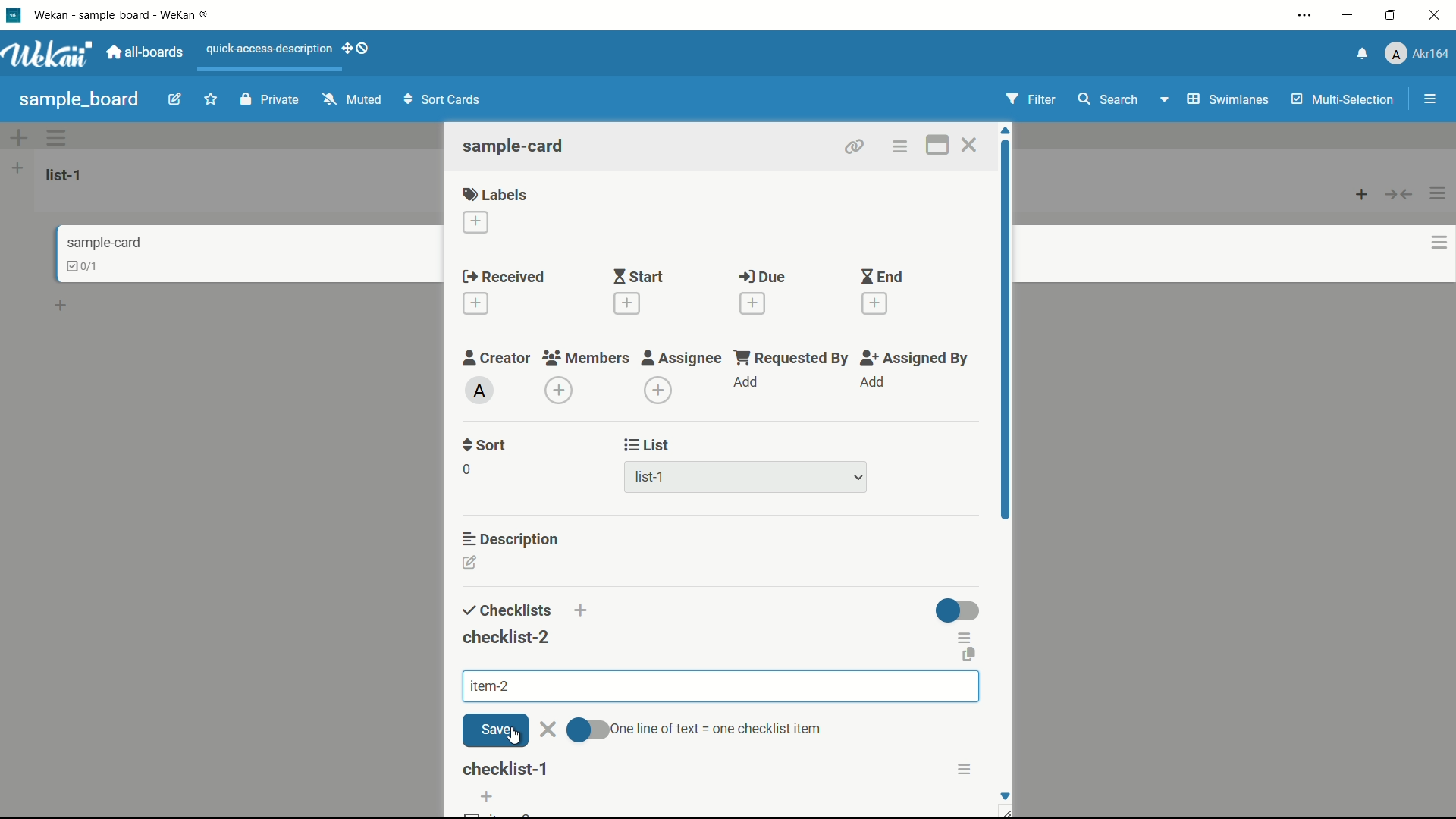 This screenshot has width=1456, height=819. I want to click on options, so click(968, 769).